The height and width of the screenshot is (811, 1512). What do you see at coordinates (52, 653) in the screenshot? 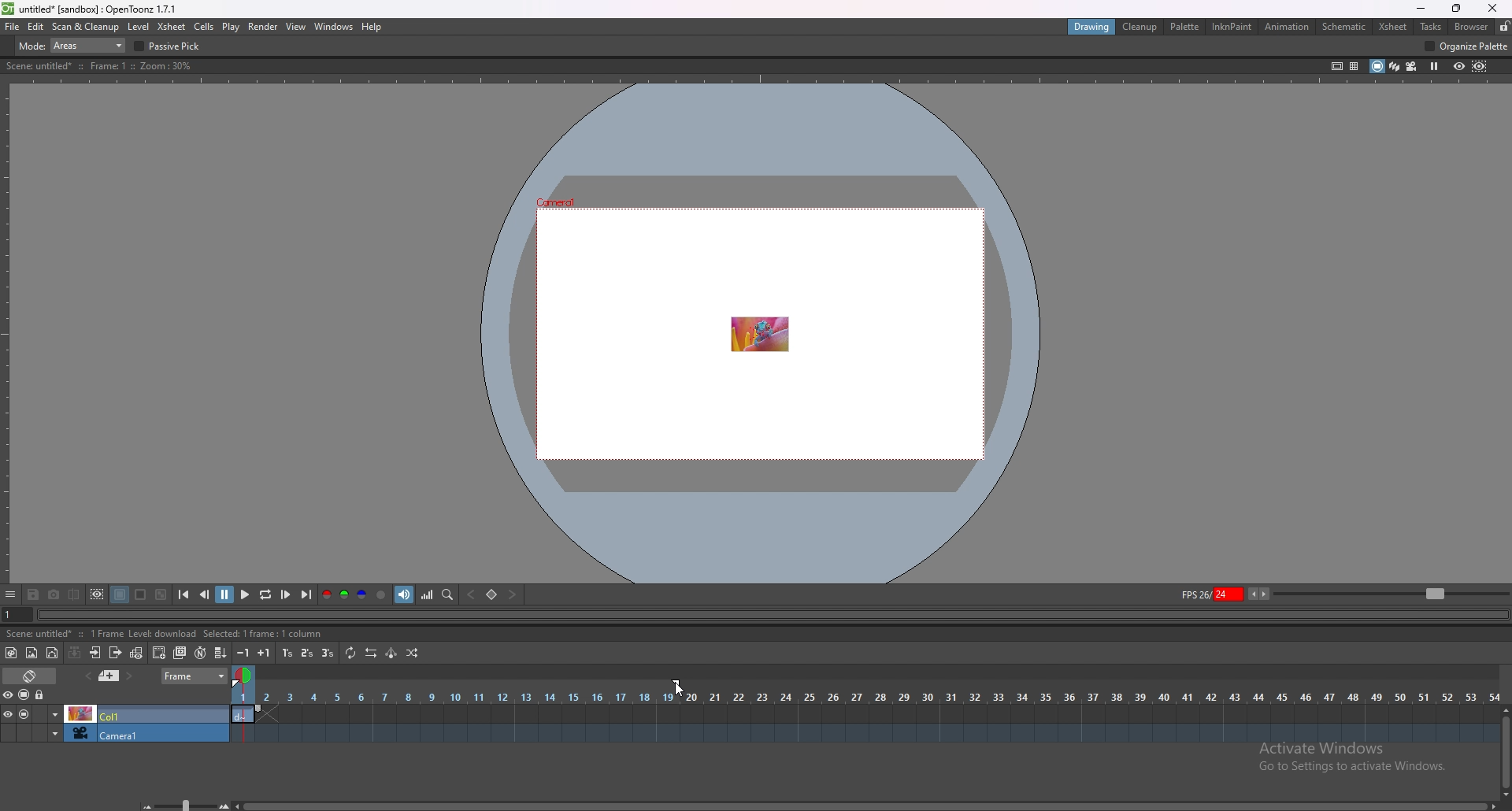
I see `new vector level` at bounding box center [52, 653].